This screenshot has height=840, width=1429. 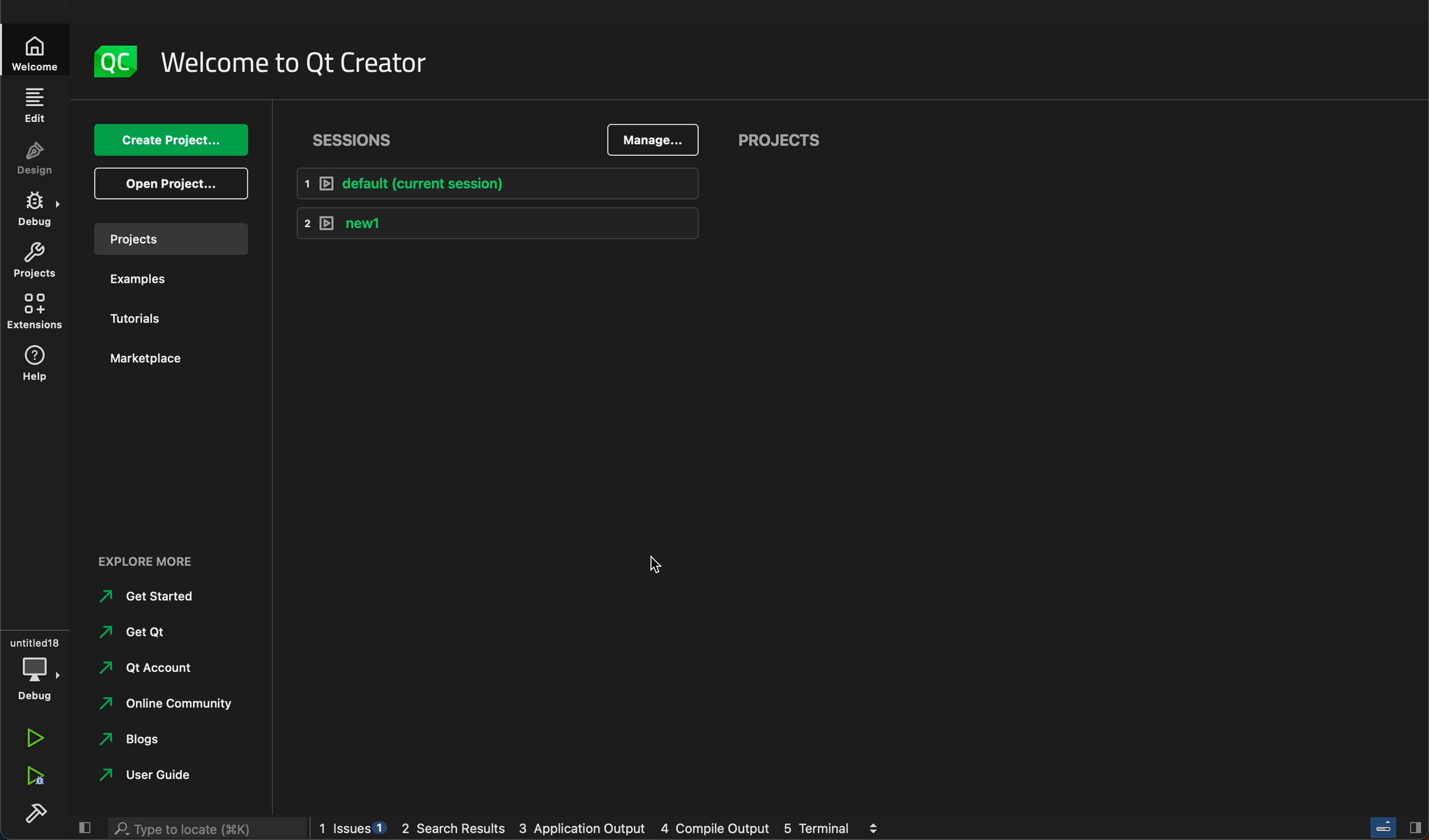 I want to click on run, so click(x=35, y=735).